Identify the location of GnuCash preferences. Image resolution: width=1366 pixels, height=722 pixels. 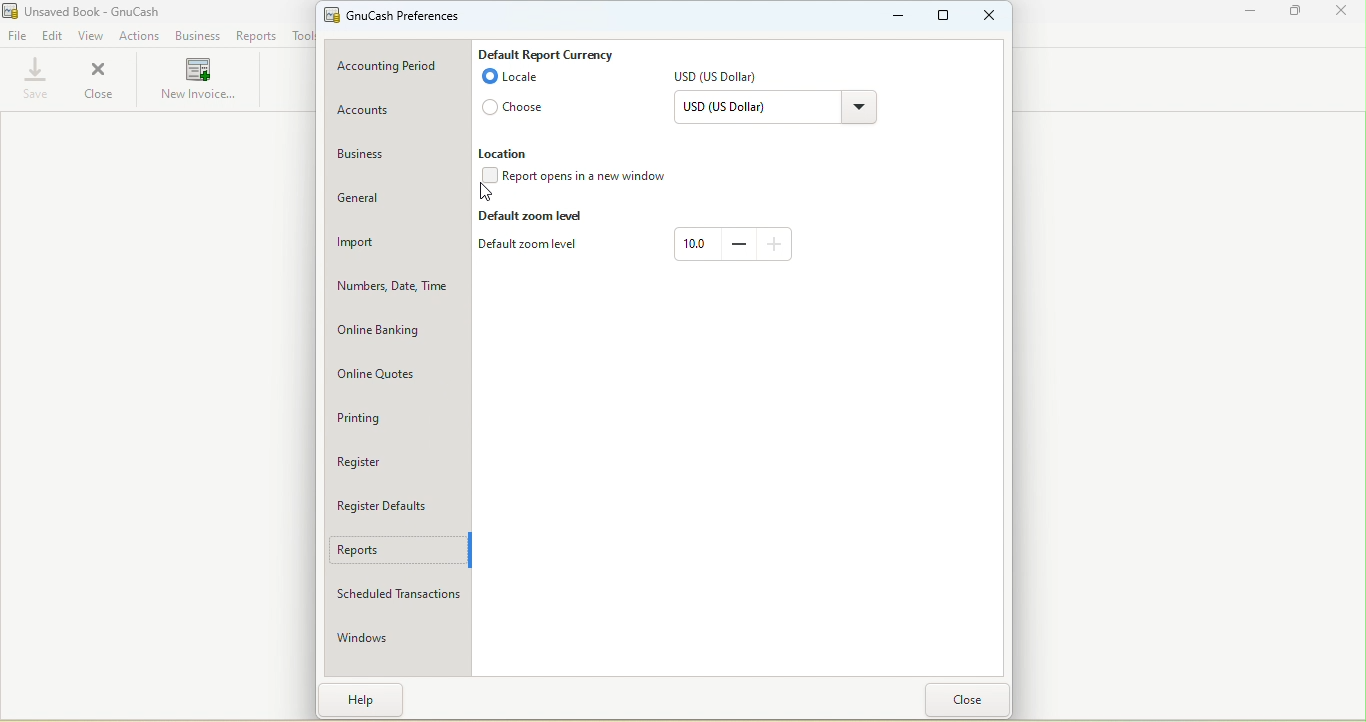
(400, 16).